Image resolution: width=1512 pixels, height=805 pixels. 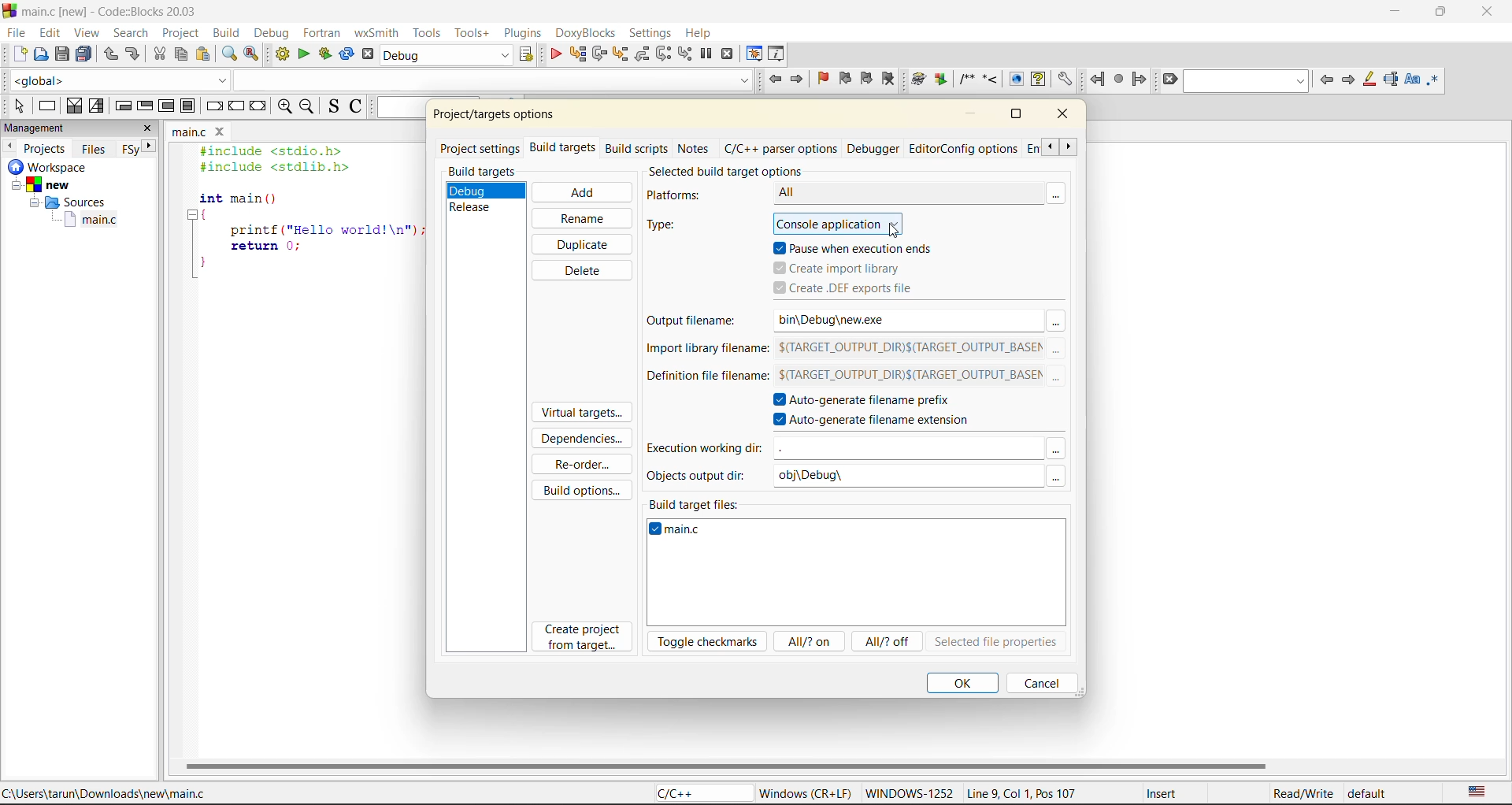 What do you see at coordinates (1488, 10) in the screenshot?
I see `close` at bounding box center [1488, 10].